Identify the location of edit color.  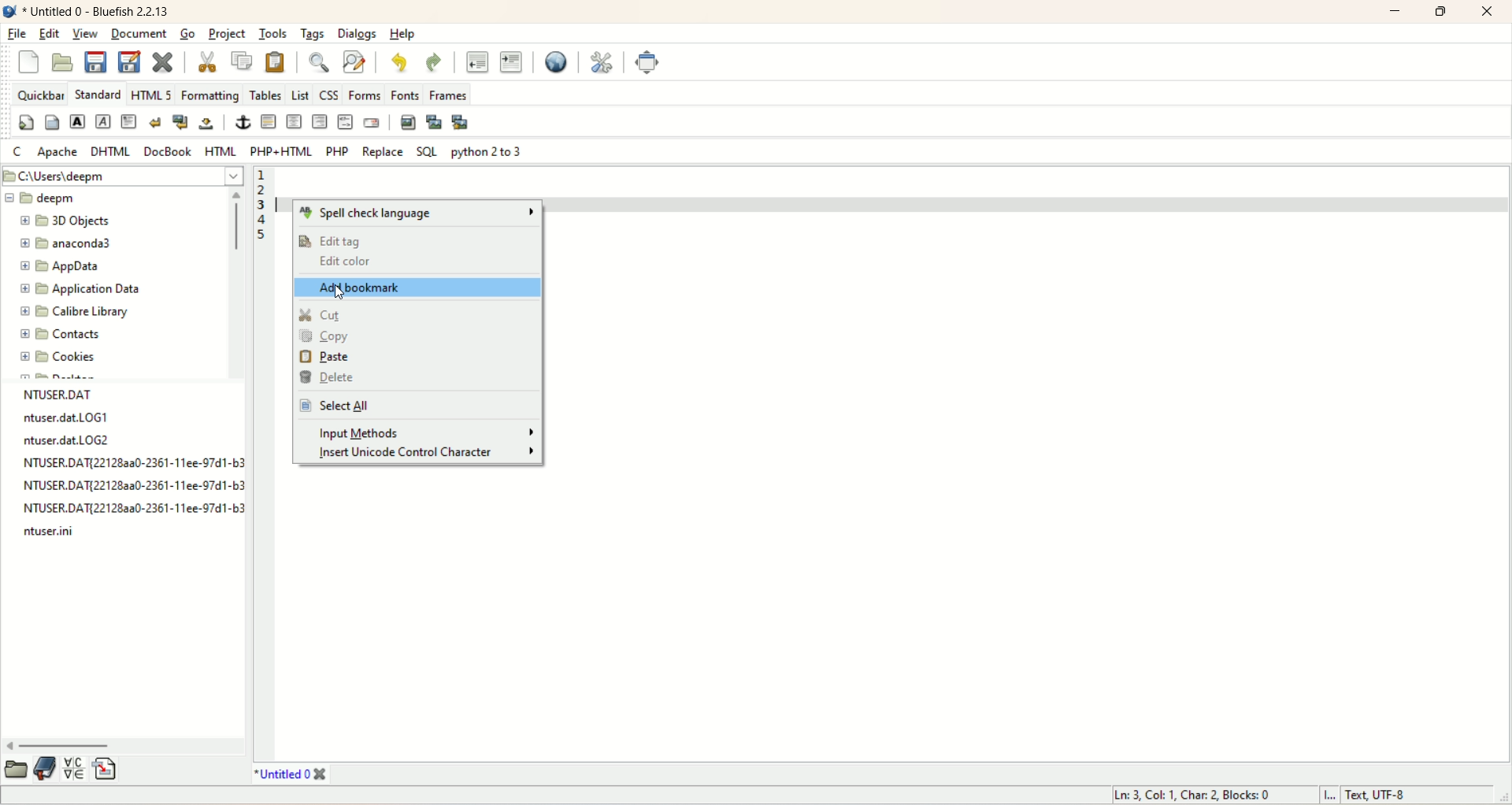
(344, 262).